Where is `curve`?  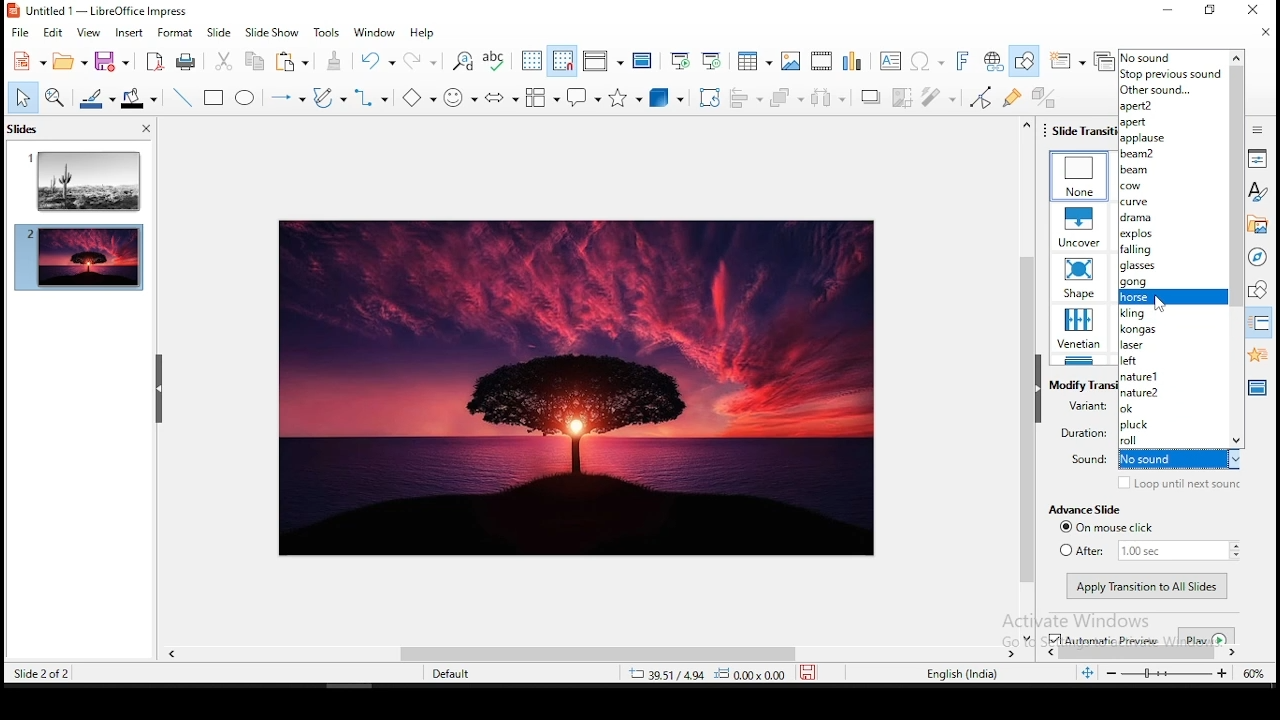
curve is located at coordinates (1171, 203).